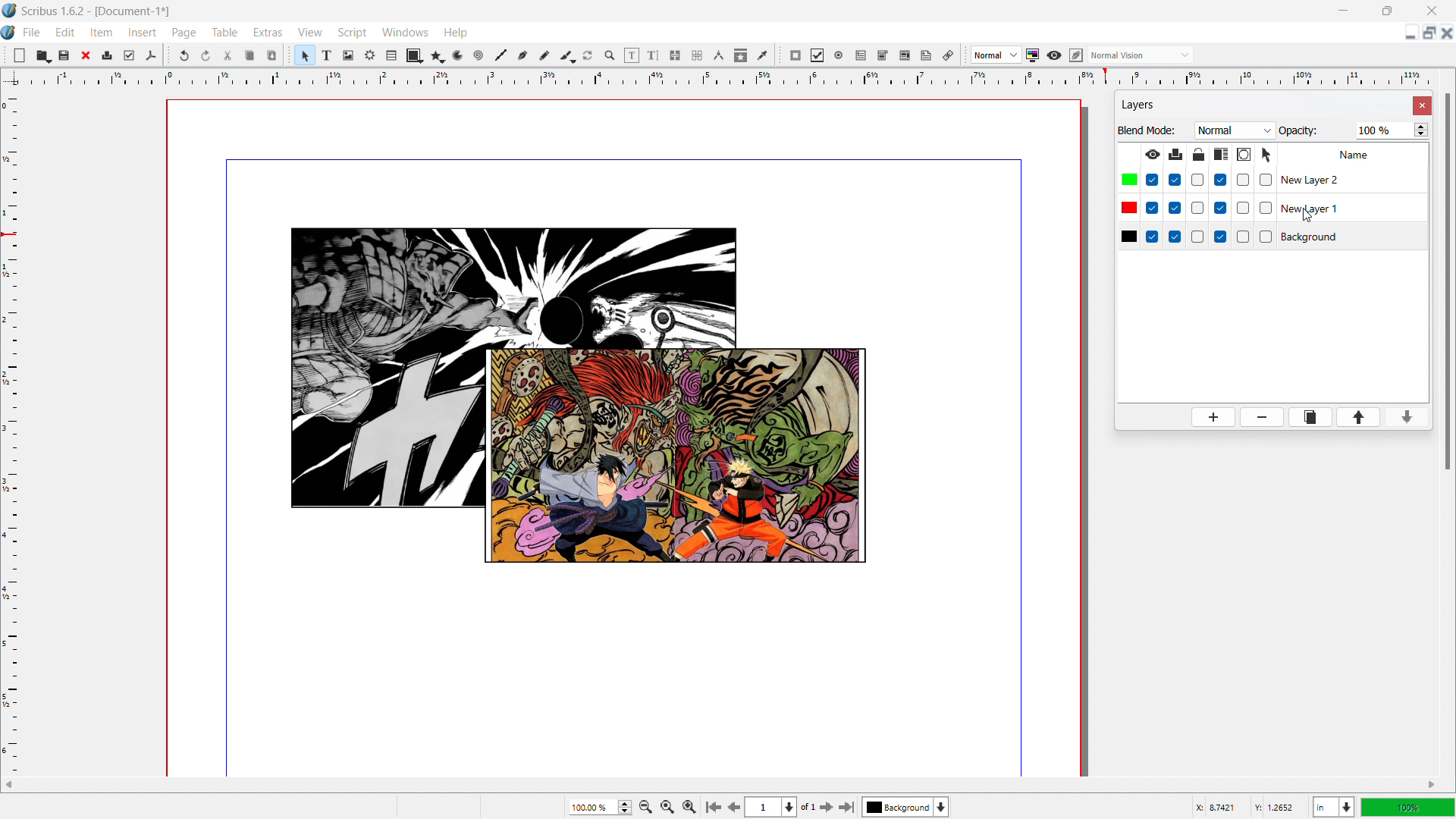 This screenshot has width=1456, height=819. Describe the element at coordinates (1210, 208) in the screenshot. I see `checkboxes` at that location.